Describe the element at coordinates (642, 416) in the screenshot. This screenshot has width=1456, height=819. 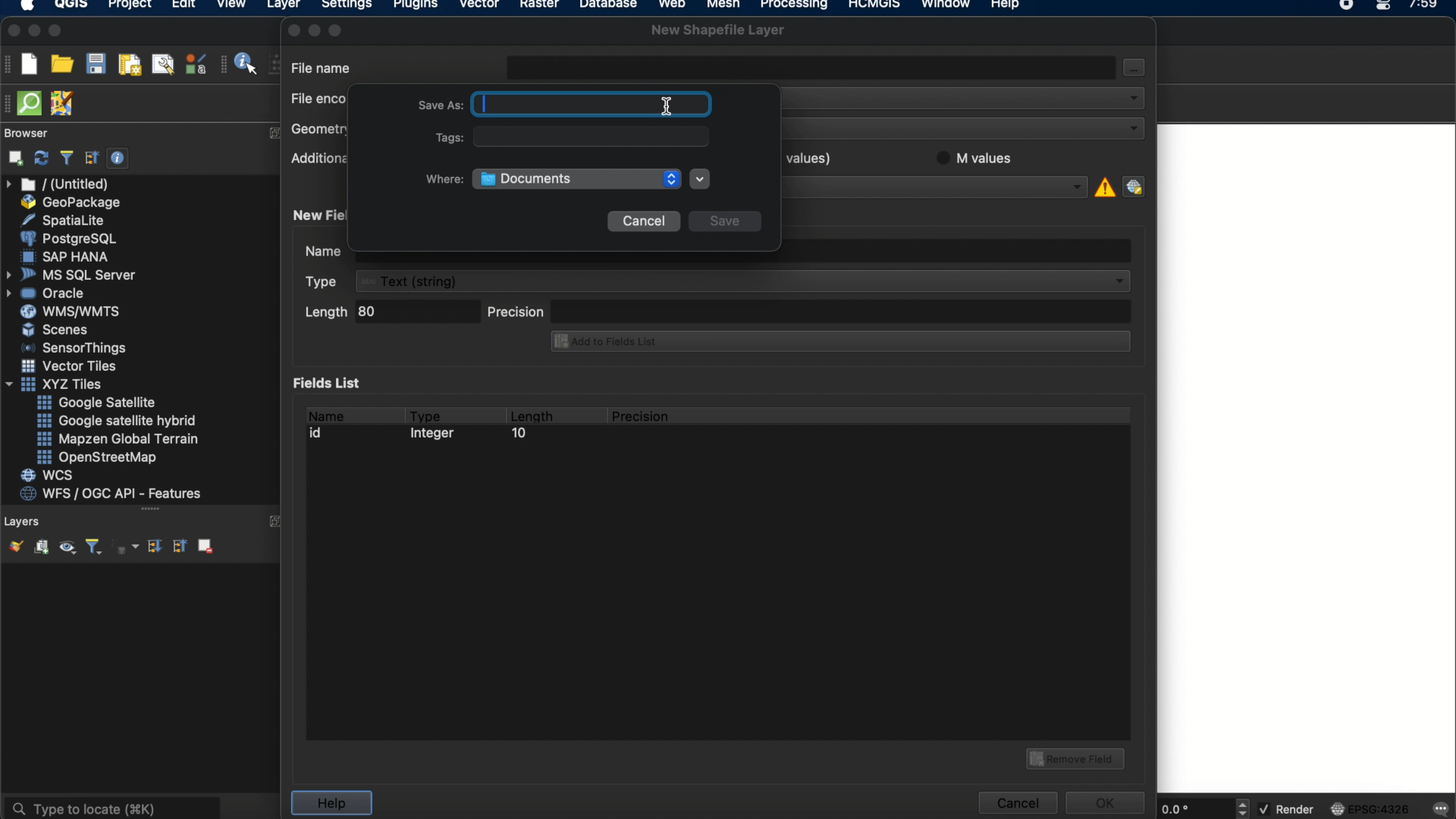
I see `precision` at that location.